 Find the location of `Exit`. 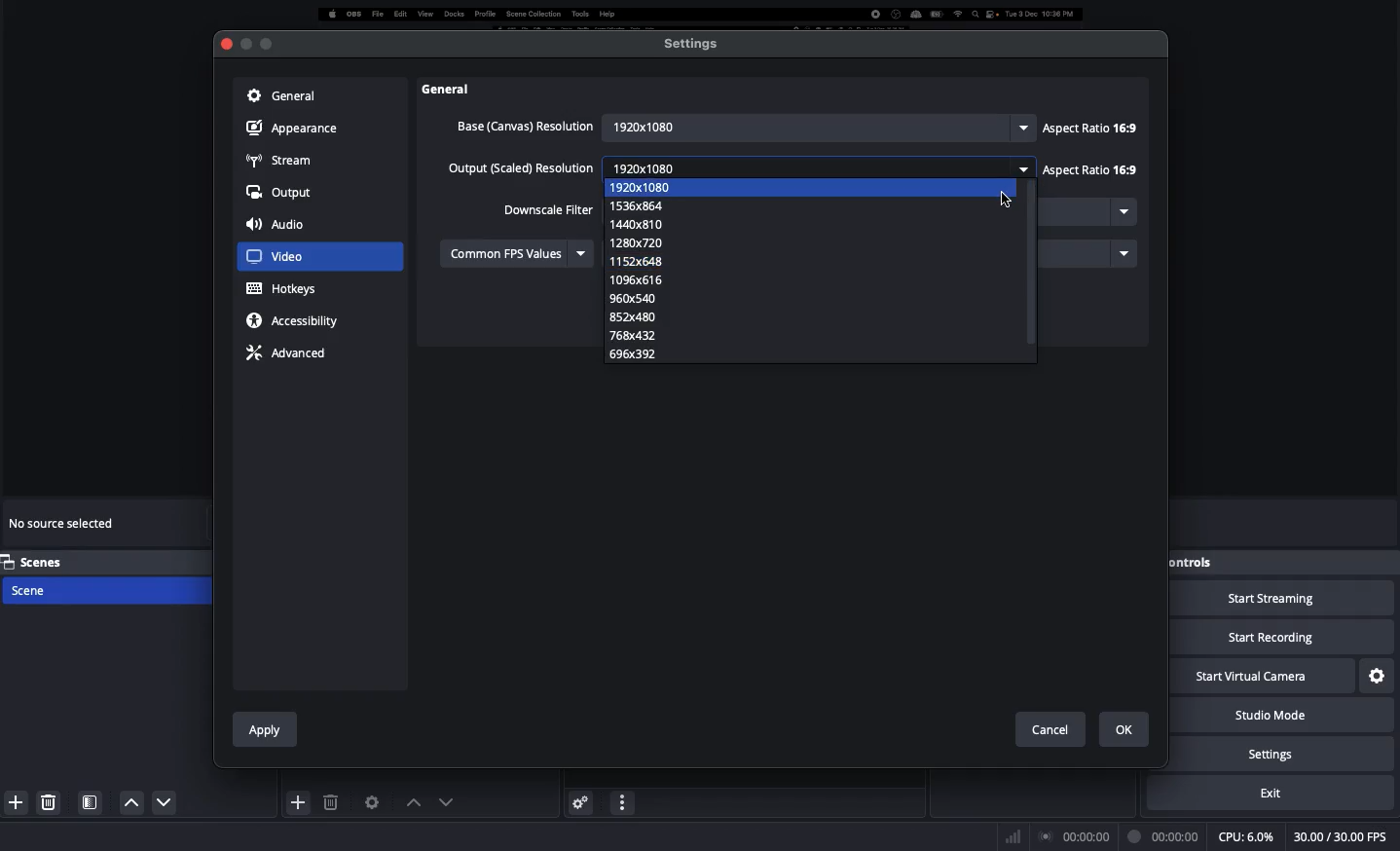

Exit is located at coordinates (1283, 793).